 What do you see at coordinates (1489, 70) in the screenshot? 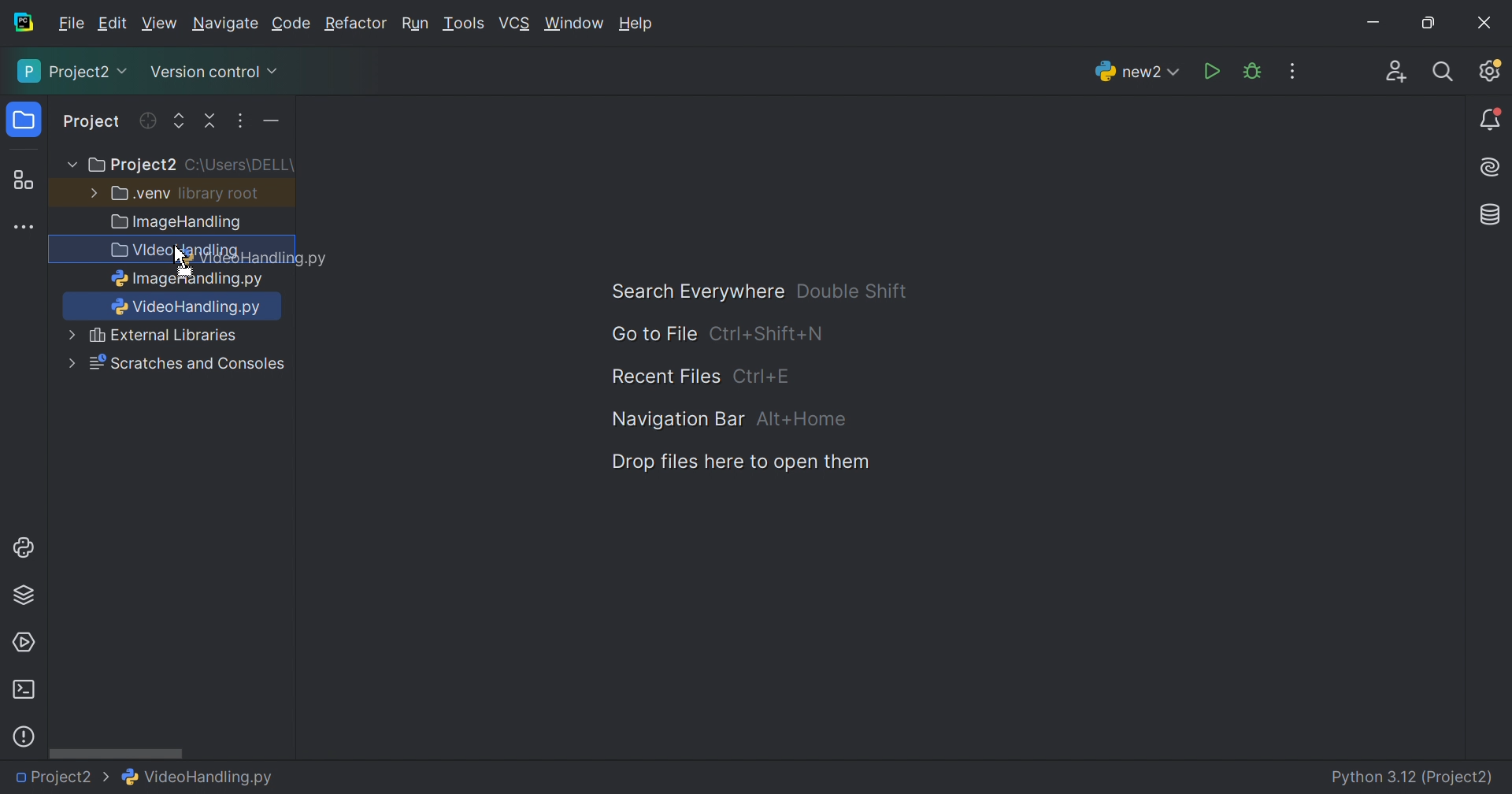
I see `Updates available. IDE and Project Settings.` at bounding box center [1489, 70].